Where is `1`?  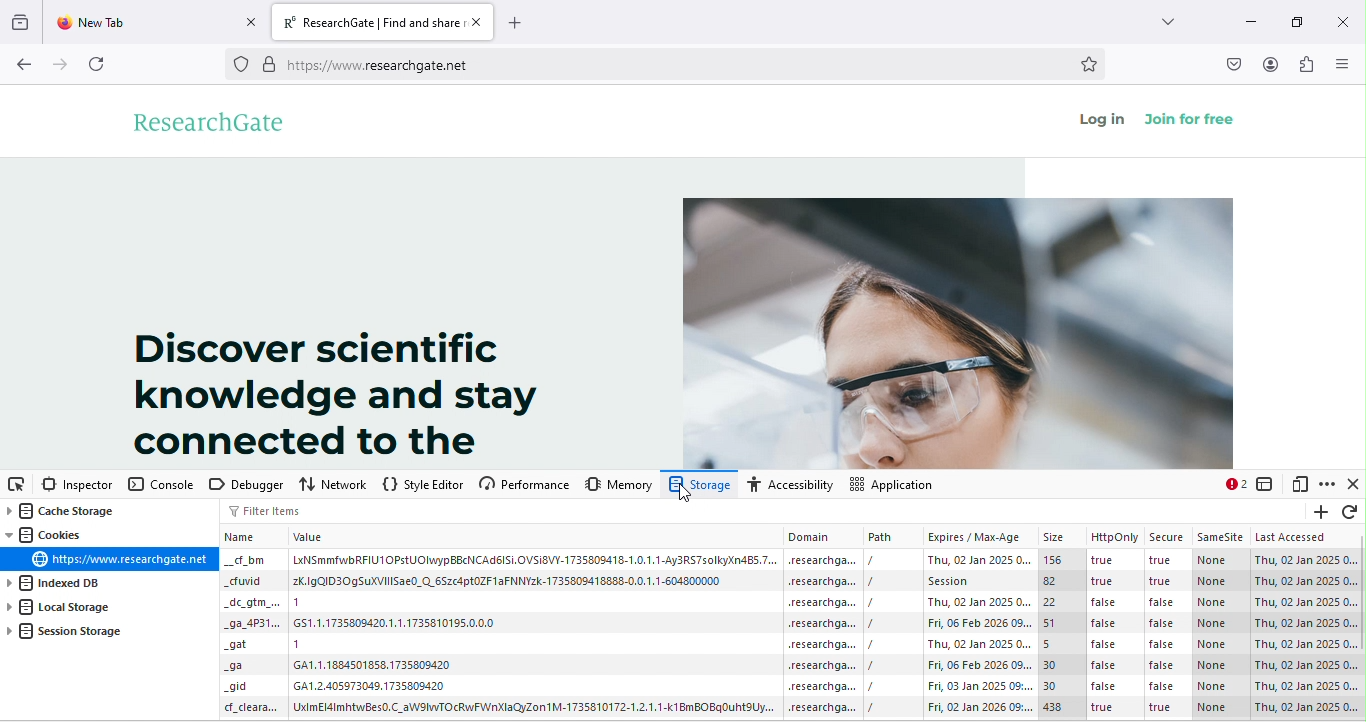 1 is located at coordinates (307, 644).